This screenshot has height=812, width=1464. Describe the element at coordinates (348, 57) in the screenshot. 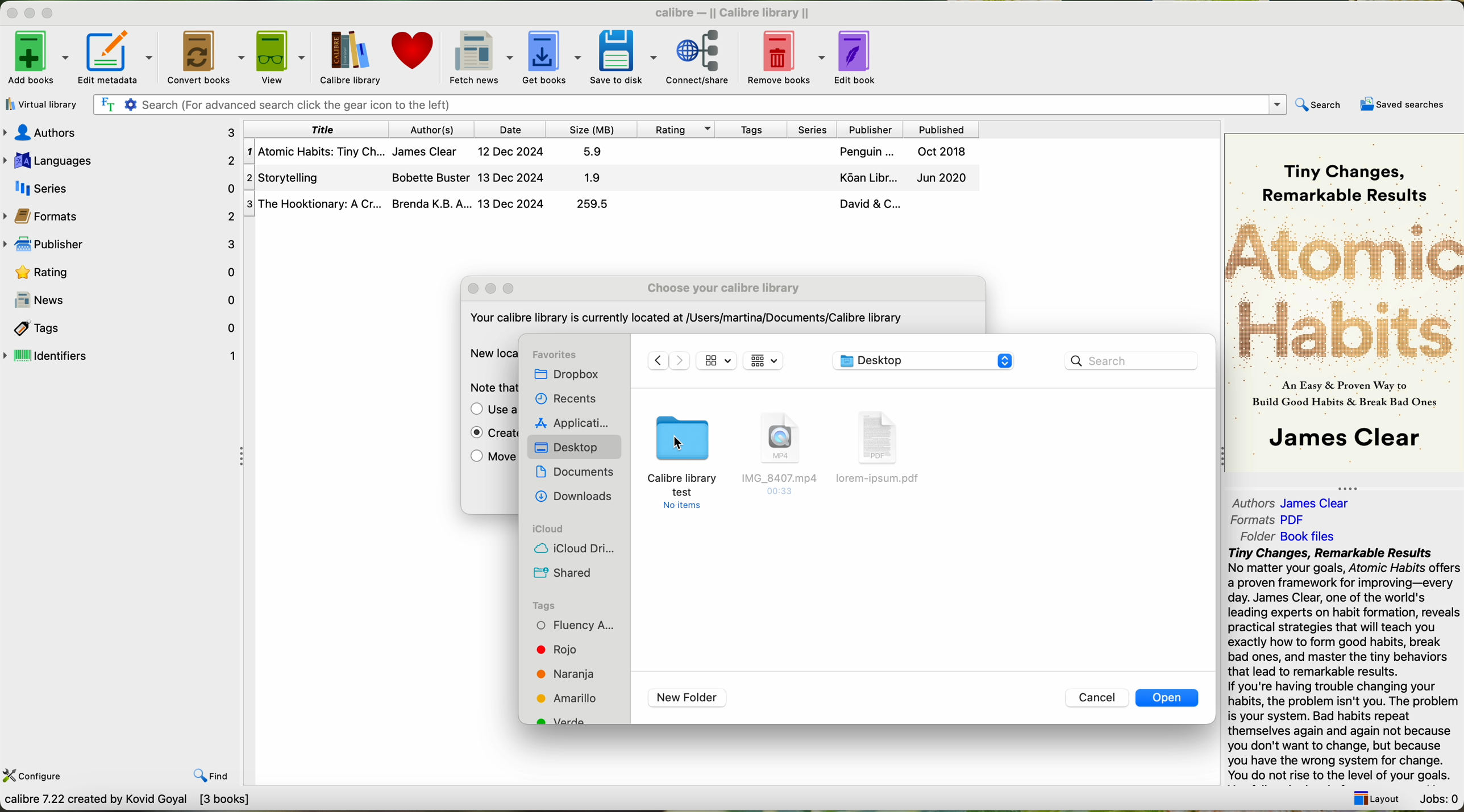

I see `click on calibre library` at that location.